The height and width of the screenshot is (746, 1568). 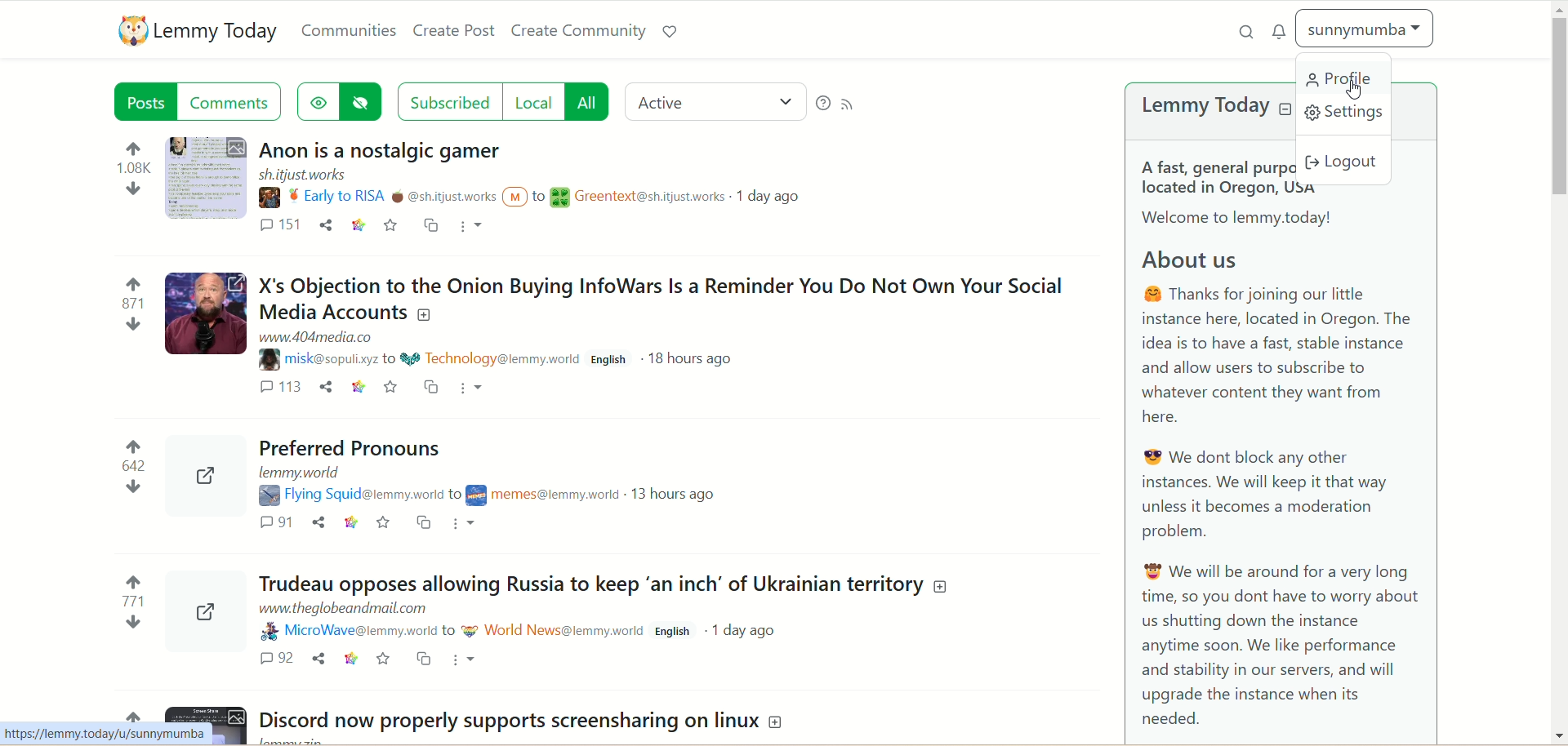 What do you see at coordinates (1357, 93) in the screenshot?
I see `Pointer` at bounding box center [1357, 93].